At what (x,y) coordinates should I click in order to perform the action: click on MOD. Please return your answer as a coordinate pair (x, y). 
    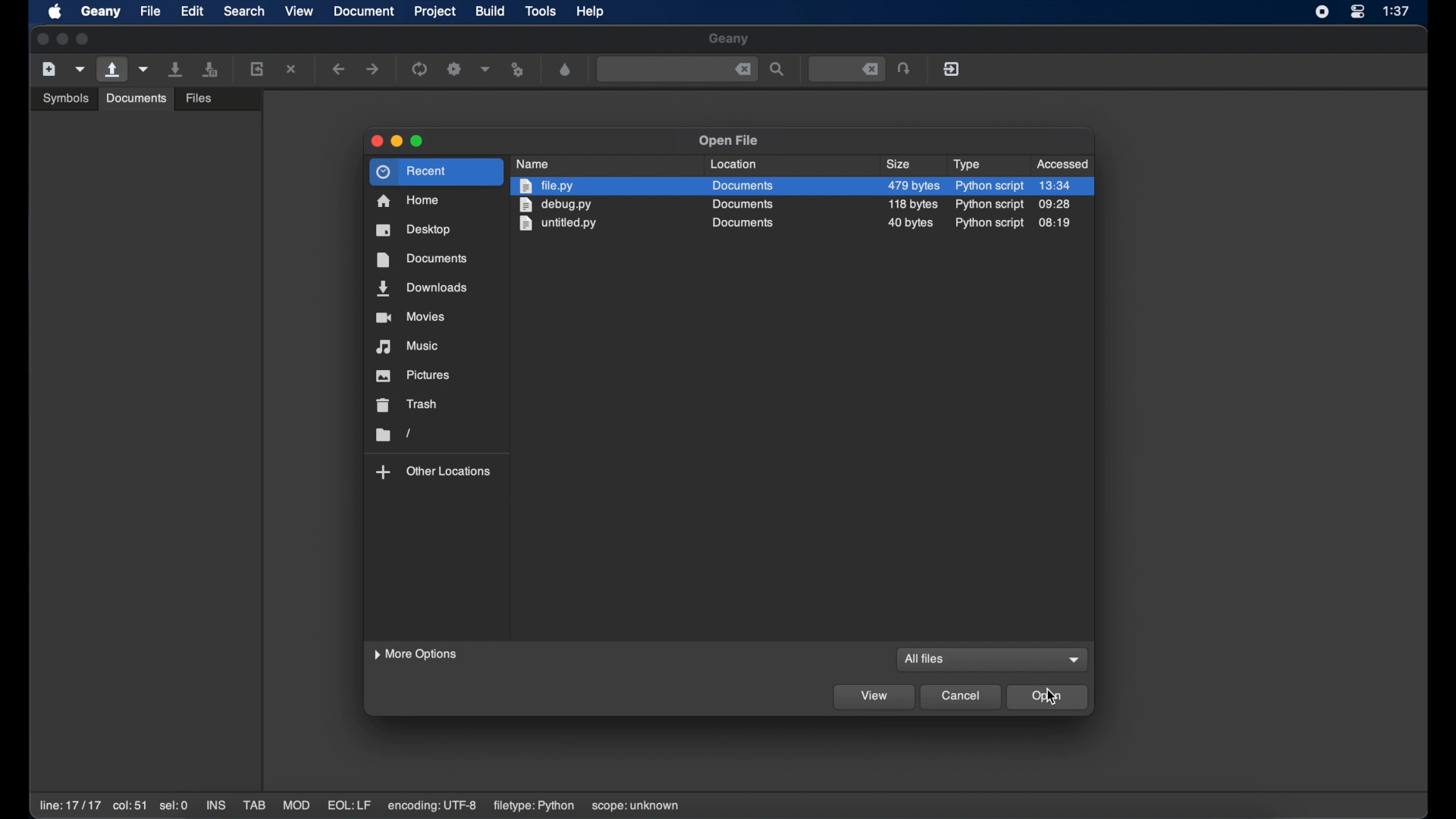
    Looking at the image, I should click on (297, 805).